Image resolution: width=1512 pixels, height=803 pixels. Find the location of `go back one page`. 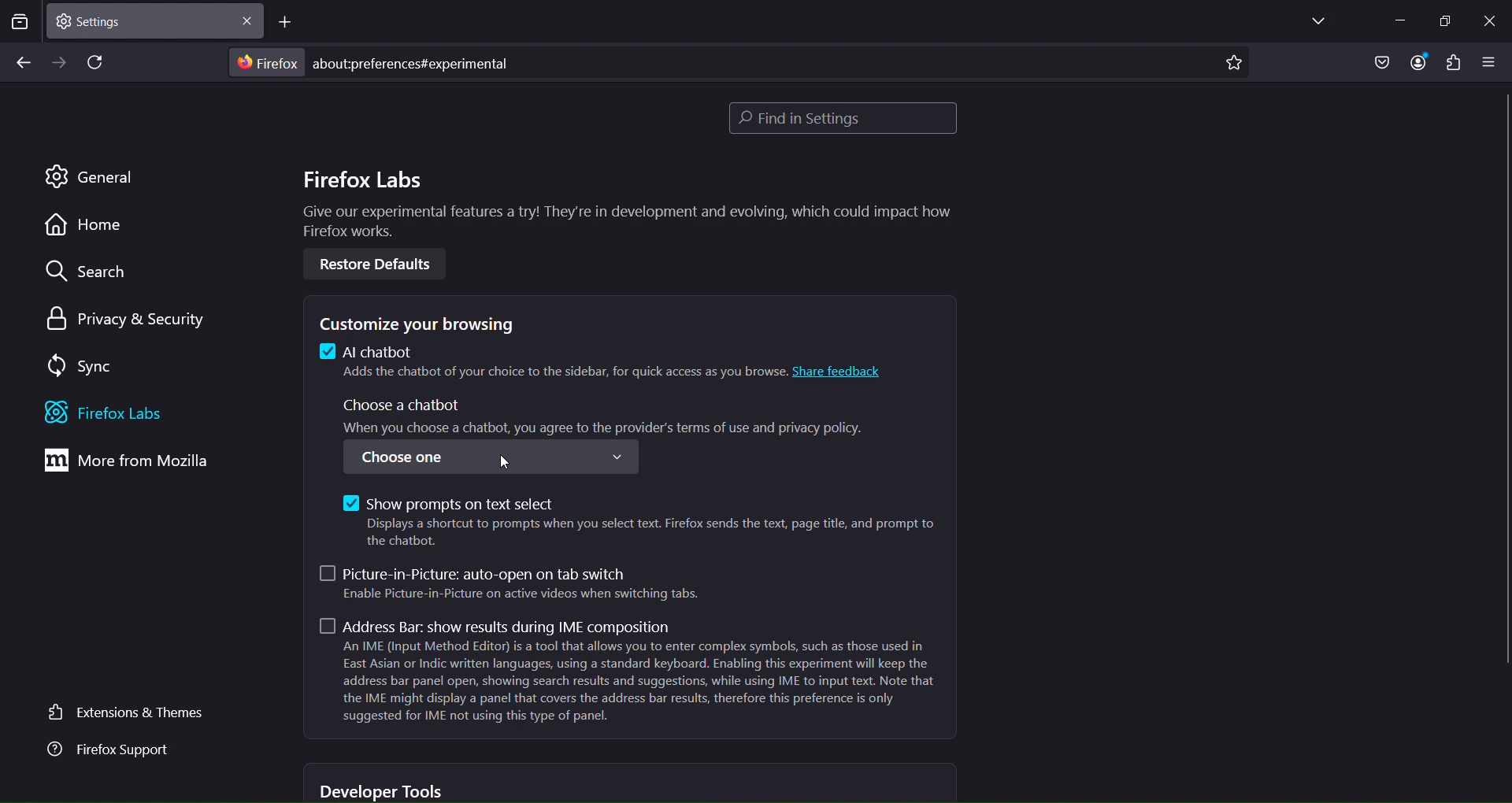

go back one page is located at coordinates (22, 62).